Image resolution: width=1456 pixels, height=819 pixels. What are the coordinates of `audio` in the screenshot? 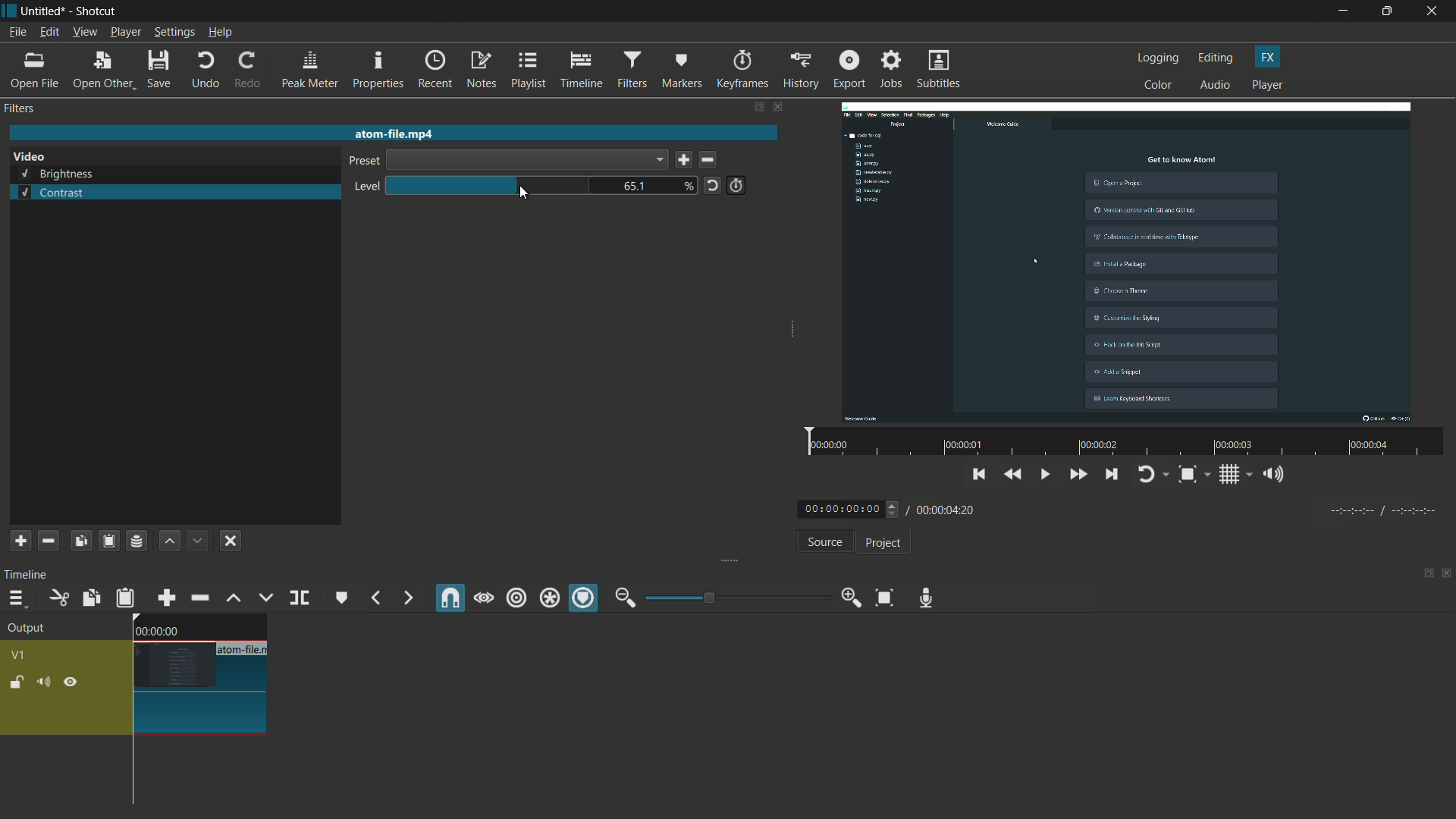 It's located at (1216, 86).